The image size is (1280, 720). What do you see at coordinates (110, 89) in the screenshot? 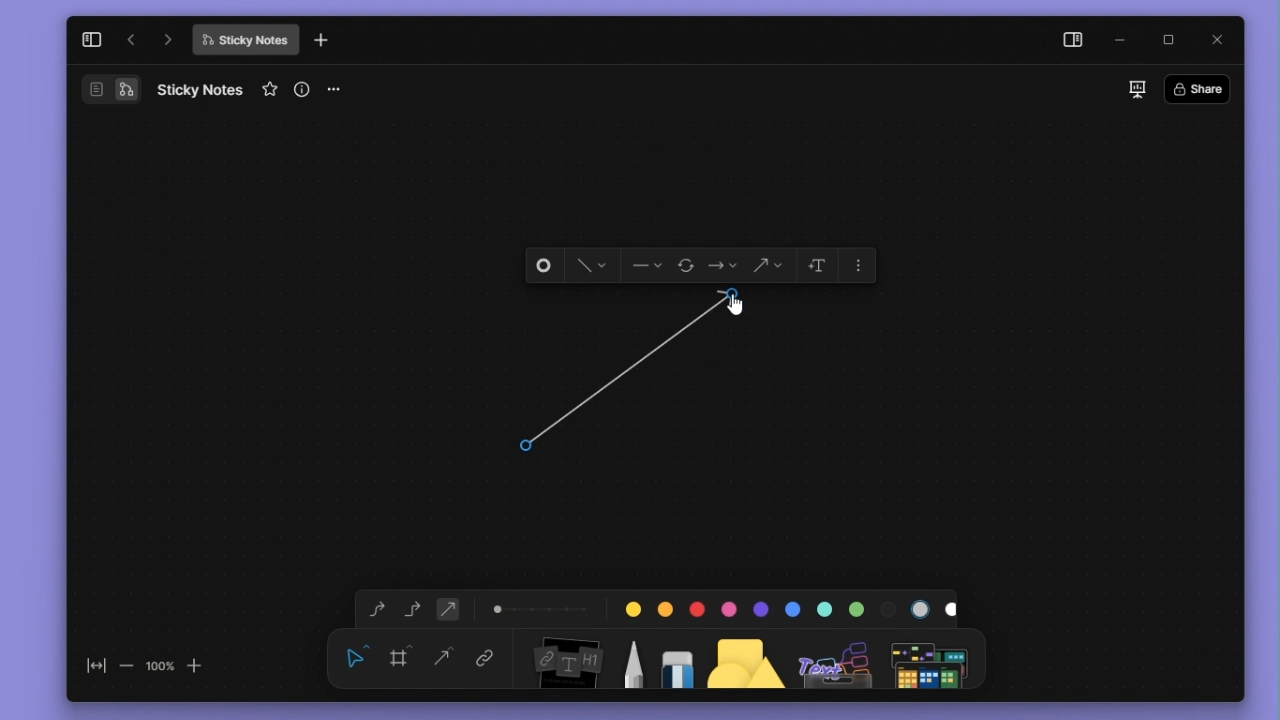
I see `switch` at bounding box center [110, 89].